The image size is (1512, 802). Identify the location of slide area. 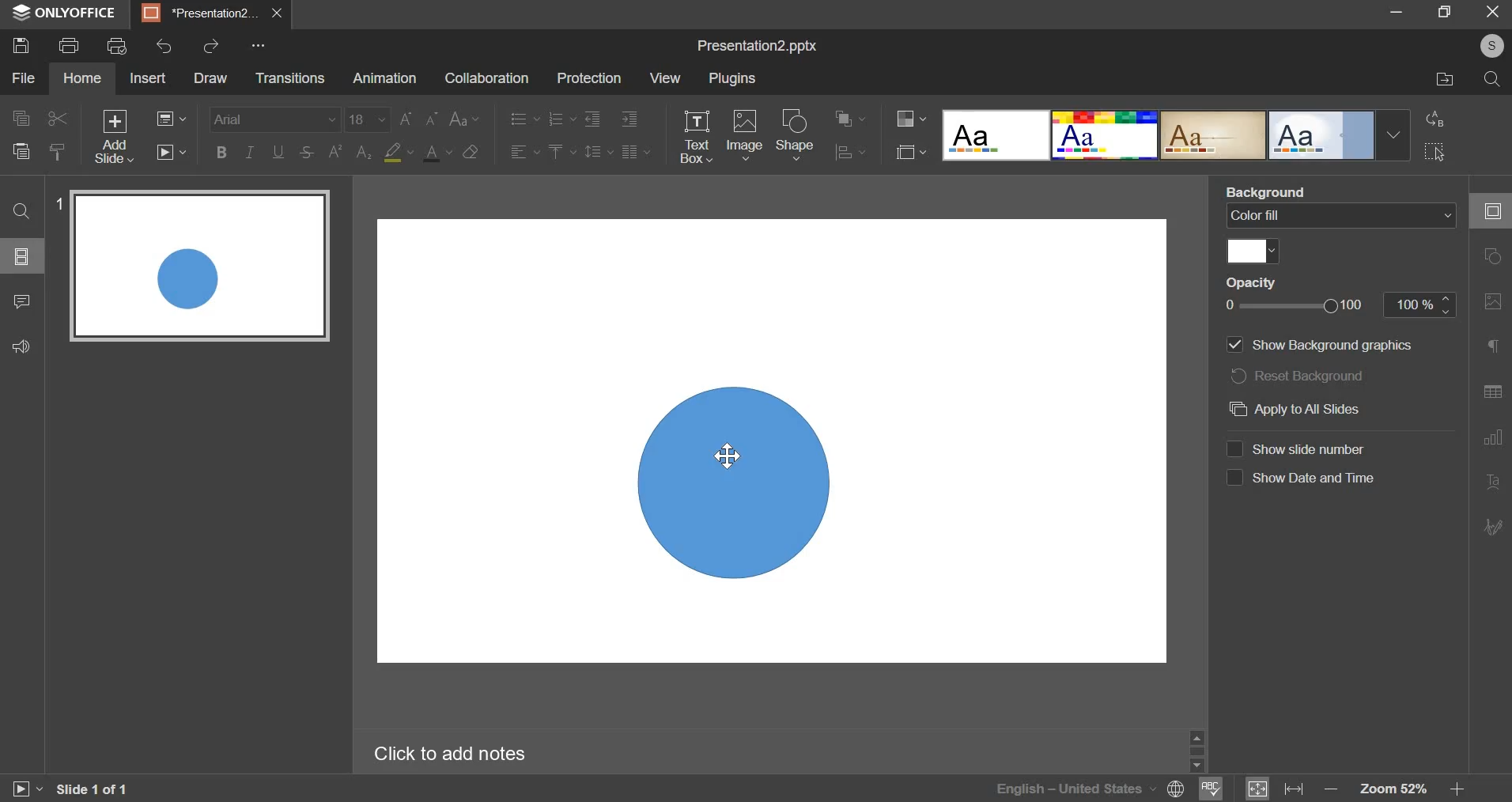
(776, 433).